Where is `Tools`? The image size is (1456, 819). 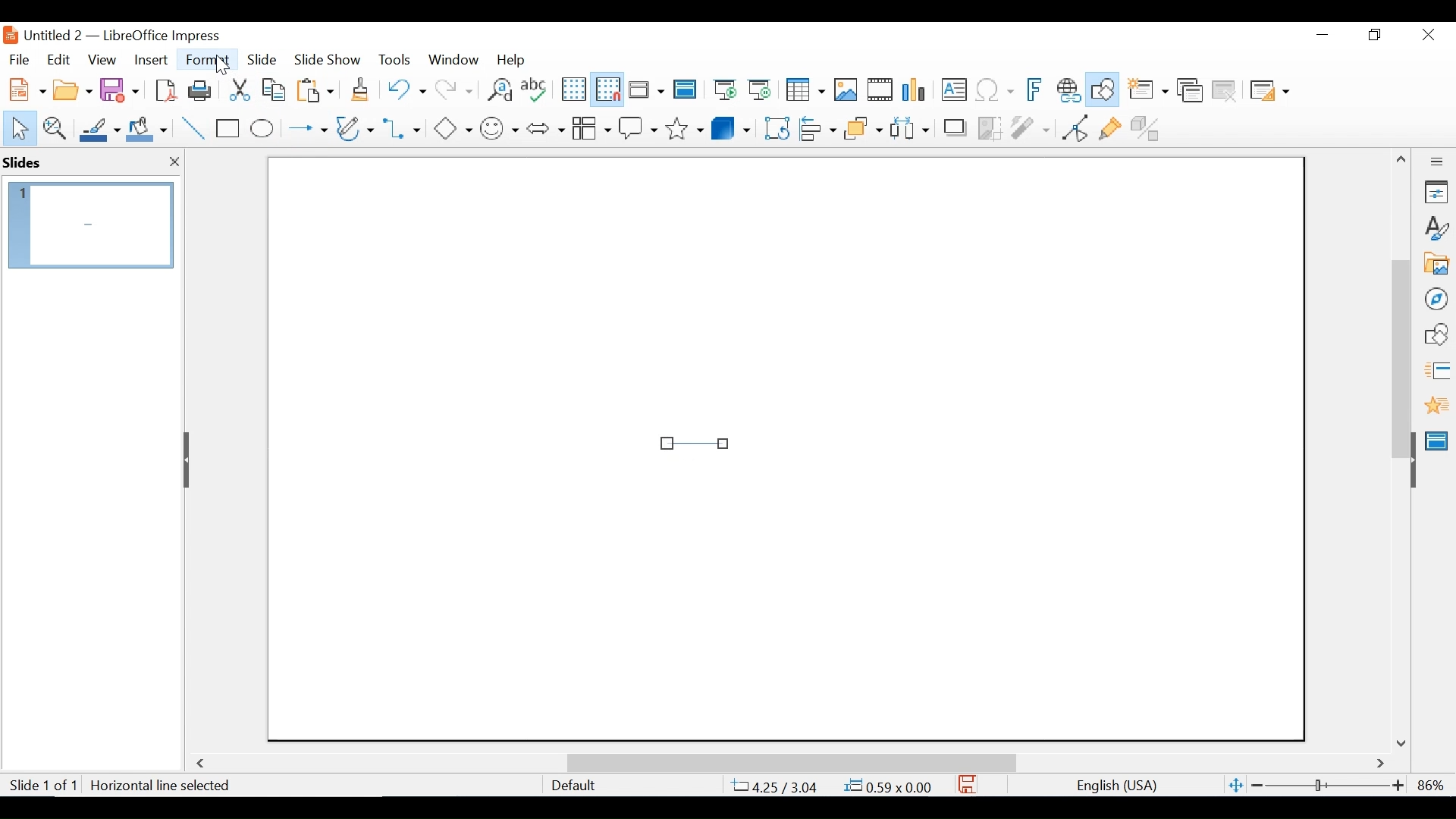
Tools is located at coordinates (394, 59).